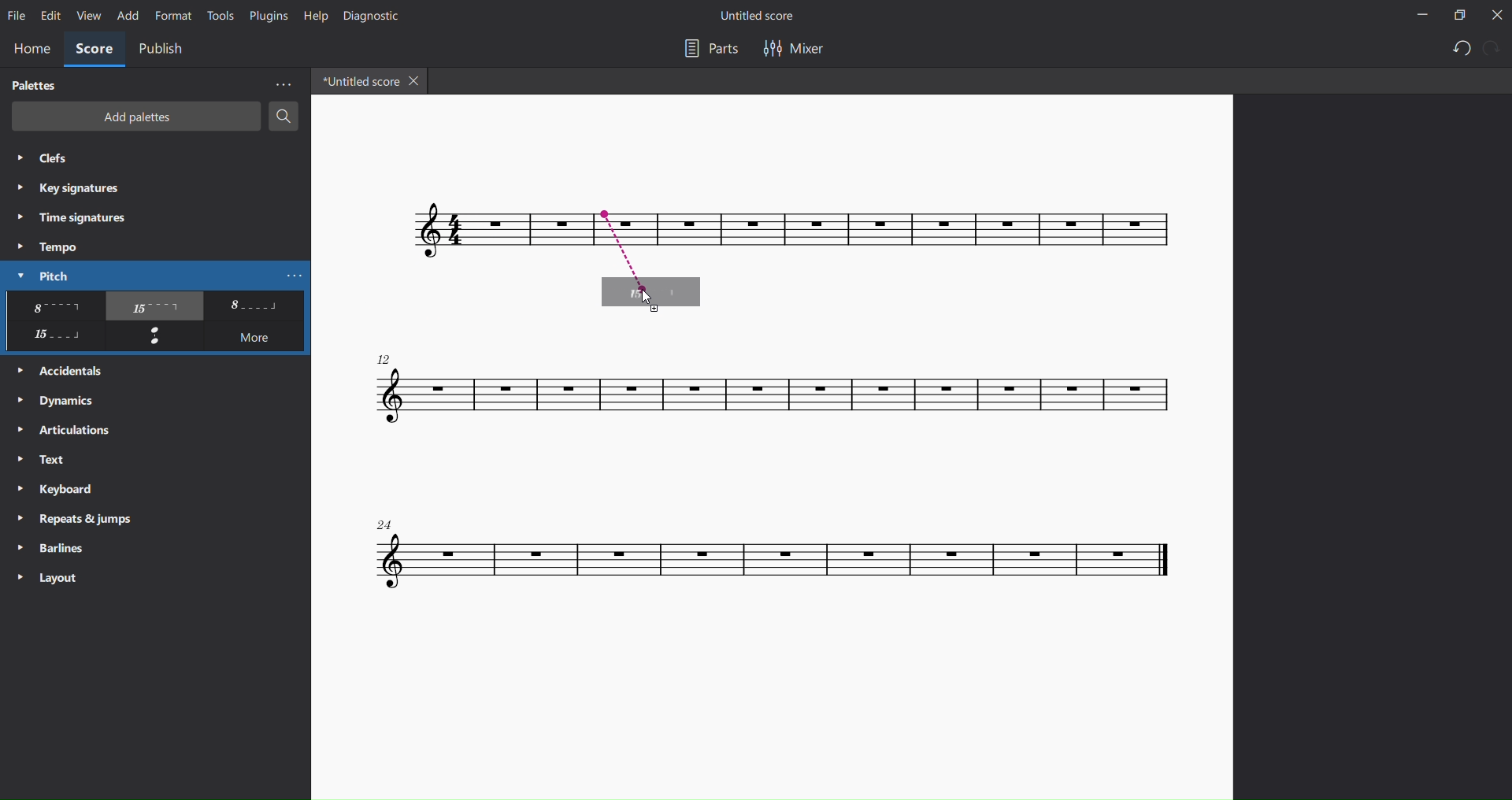  I want to click on dynamics, so click(60, 398).